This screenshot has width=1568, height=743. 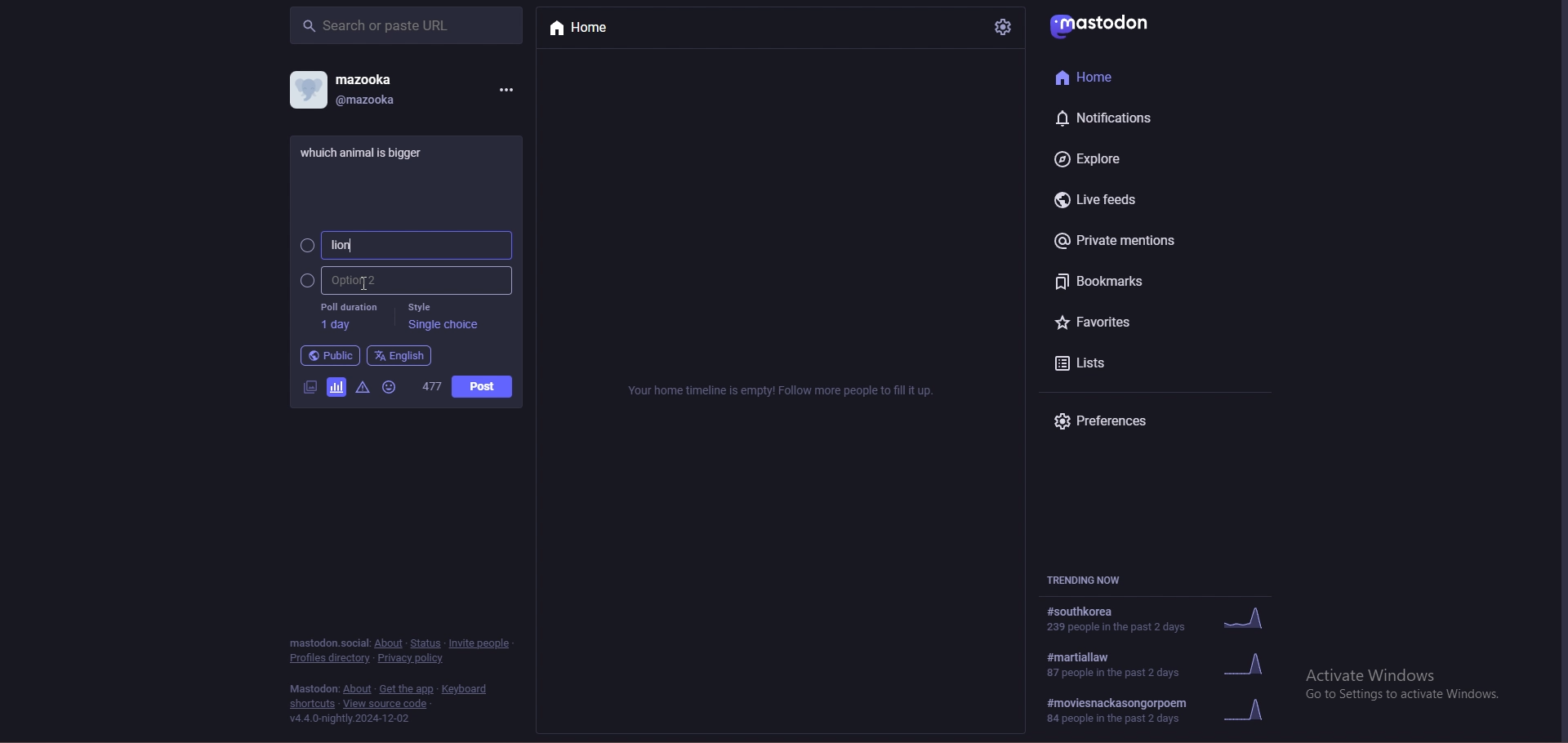 What do you see at coordinates (426, 643) in the screenshot?
I see `status` at bounding box center [426, 643].